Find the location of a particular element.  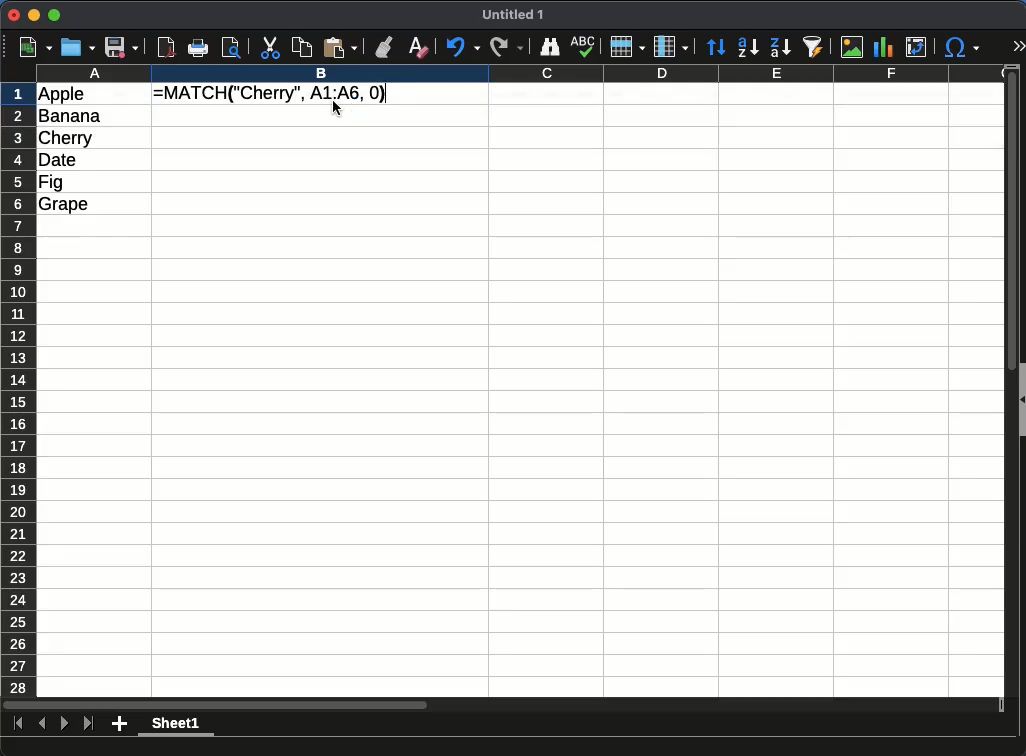

save is located at coordinates (122, 48).